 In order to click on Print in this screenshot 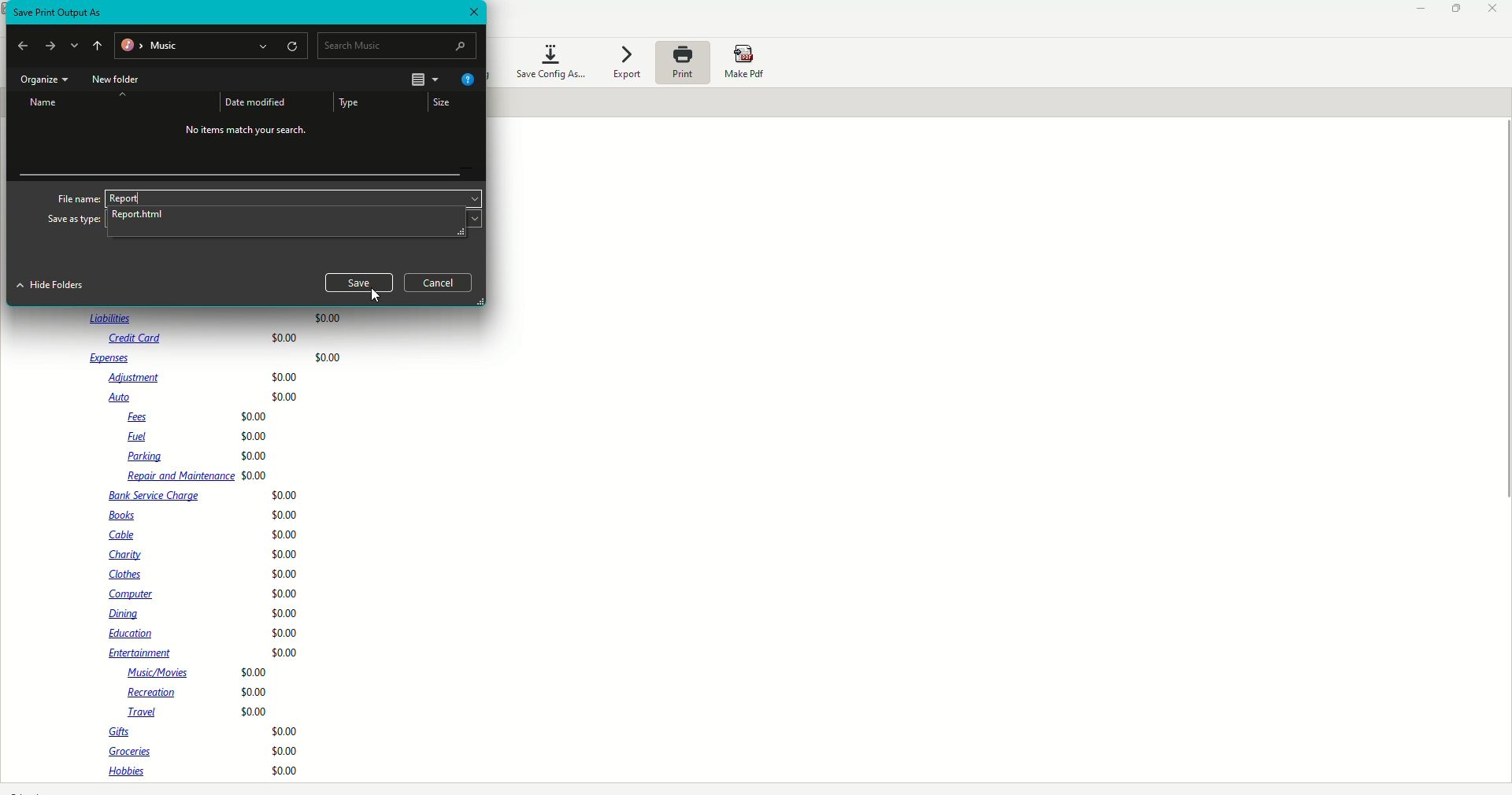, I will do `click(681, 62)`.